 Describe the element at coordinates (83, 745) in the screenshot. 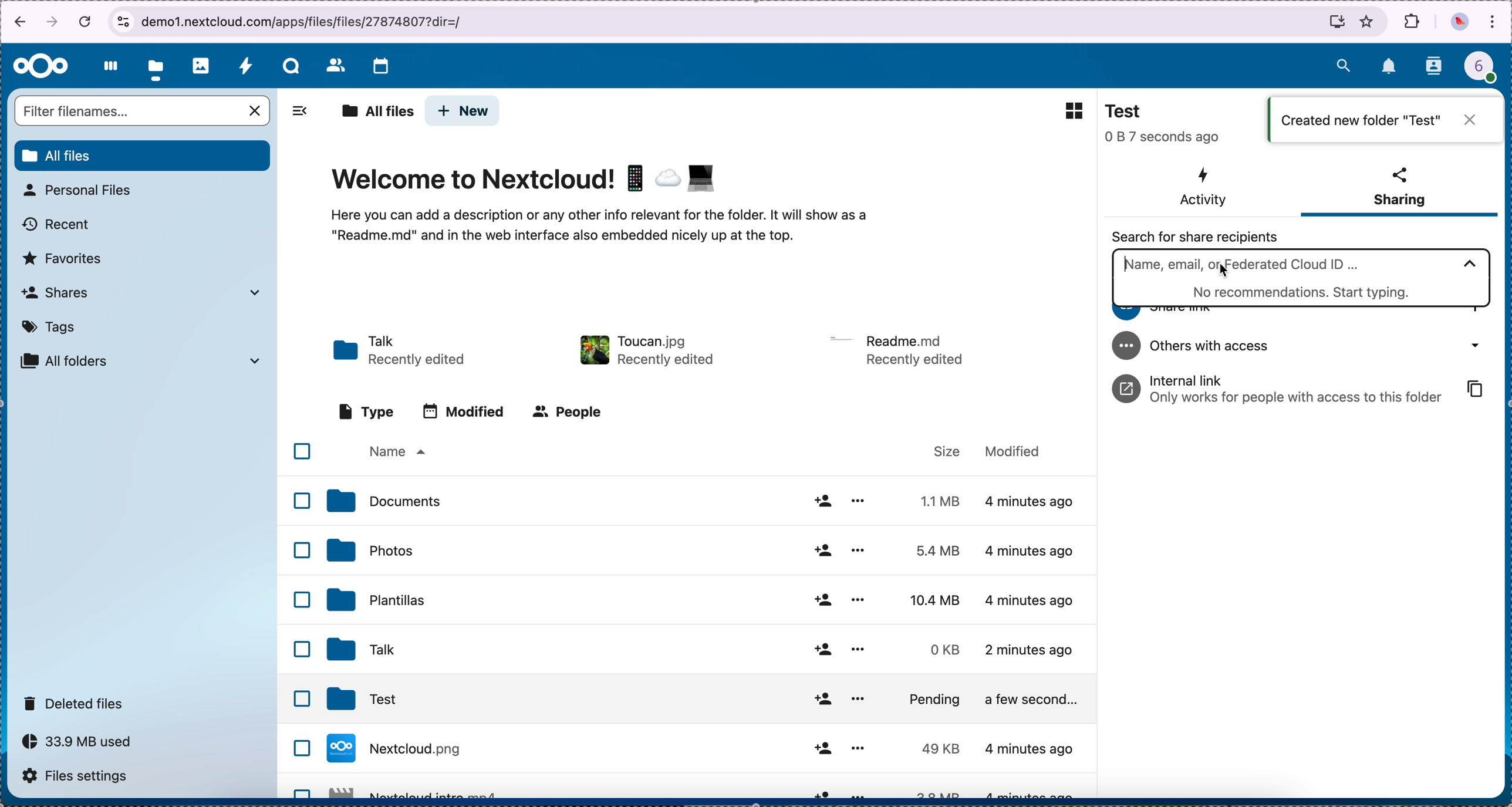

I see `capacity` at that location.